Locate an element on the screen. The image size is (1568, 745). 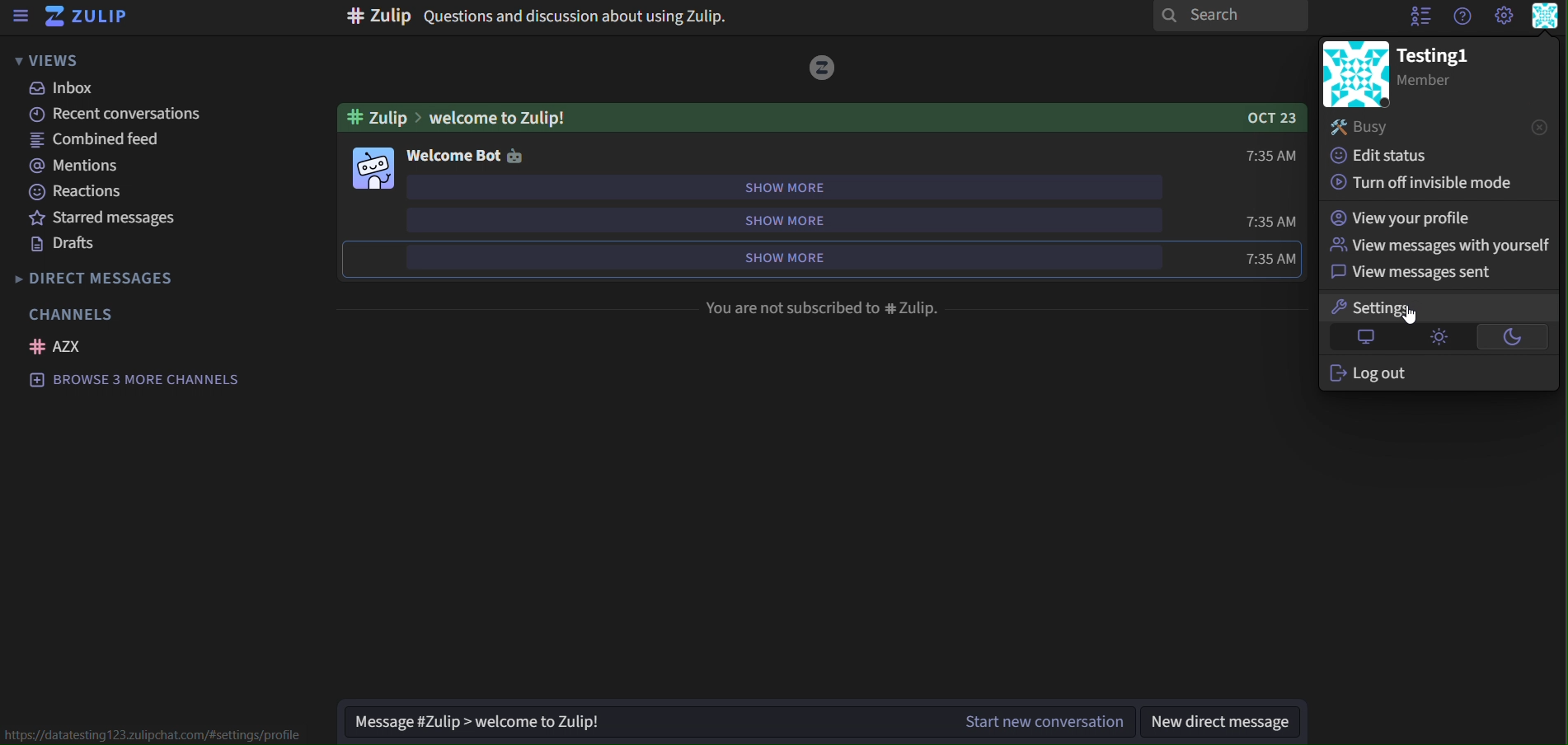
#zulip Question and discussion is located at coordinates (546, 16).